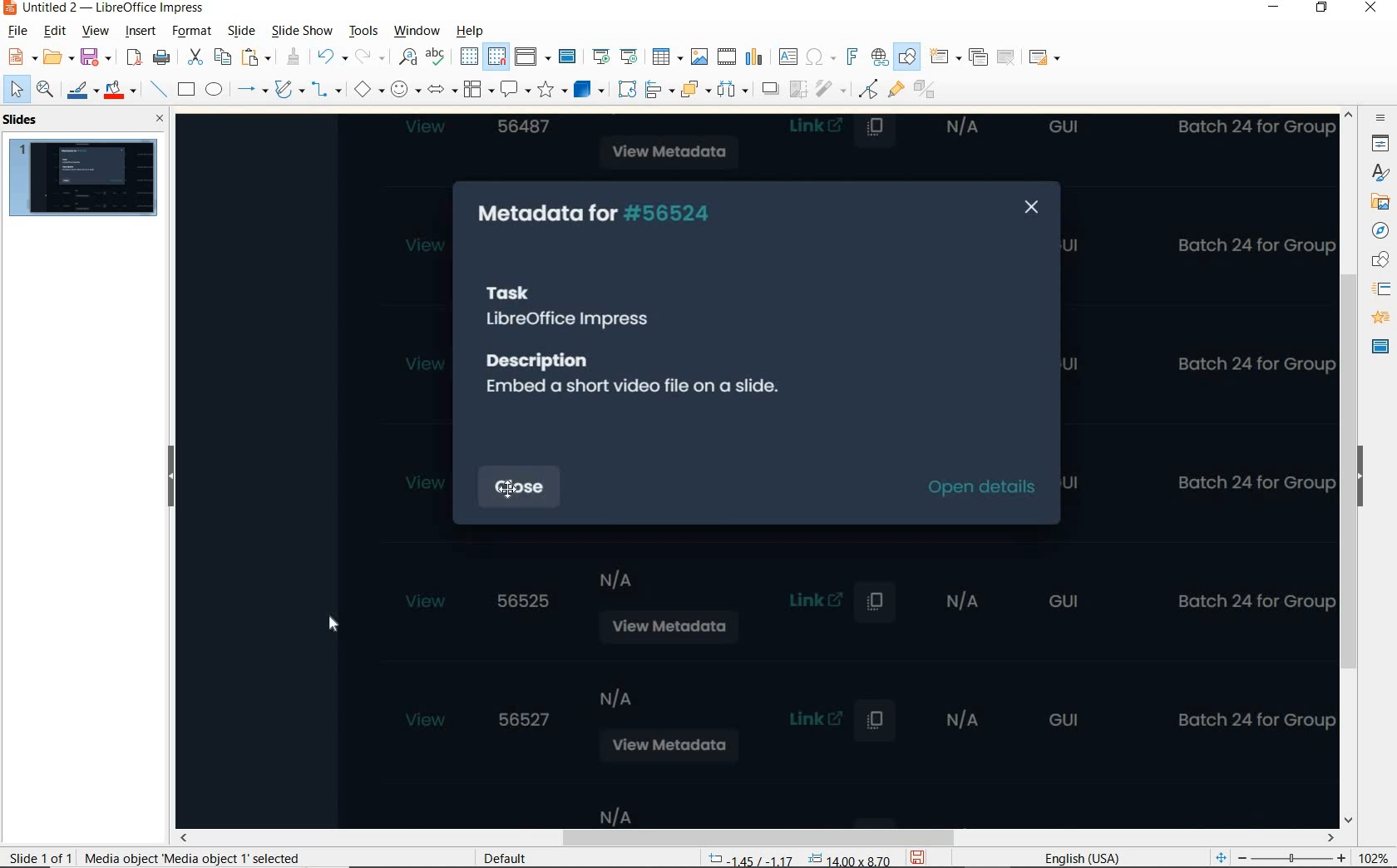  I want to click on ZOOM FACTOR, so click(1375, 854).